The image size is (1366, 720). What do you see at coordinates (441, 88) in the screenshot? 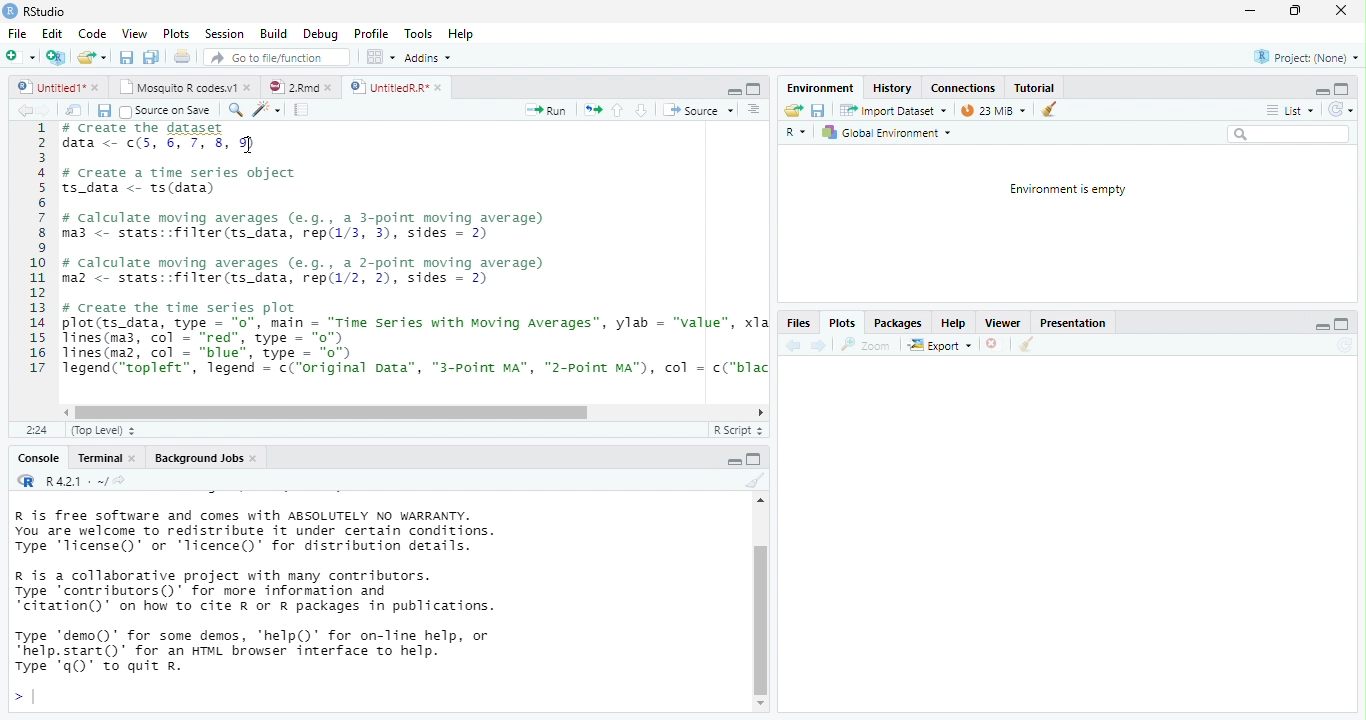
I see `close` at bounding box center [441, 88].